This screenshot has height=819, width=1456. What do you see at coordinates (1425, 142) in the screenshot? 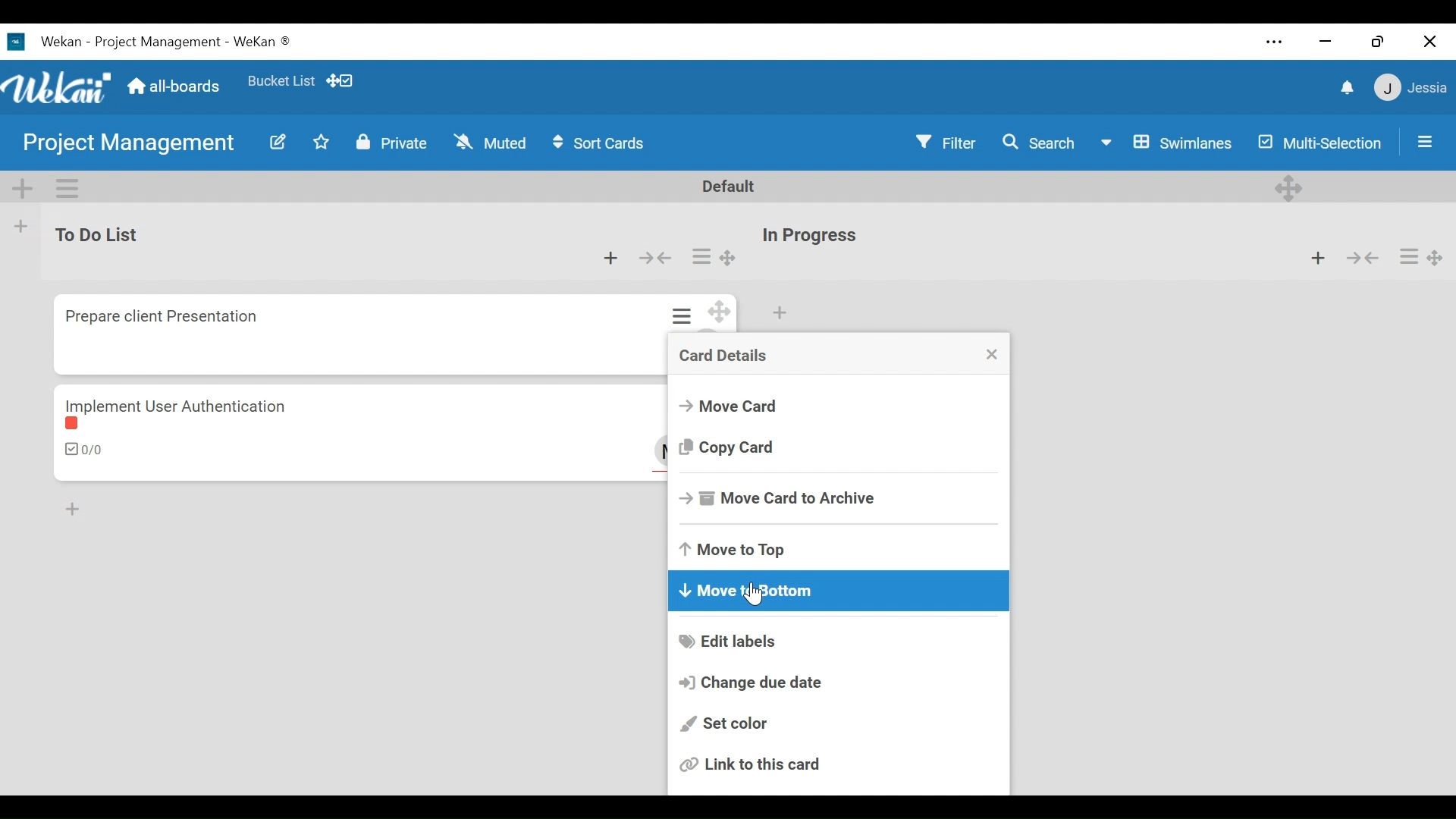
I see `Open/Close Sidebar` at bounding box center [1425, 142].